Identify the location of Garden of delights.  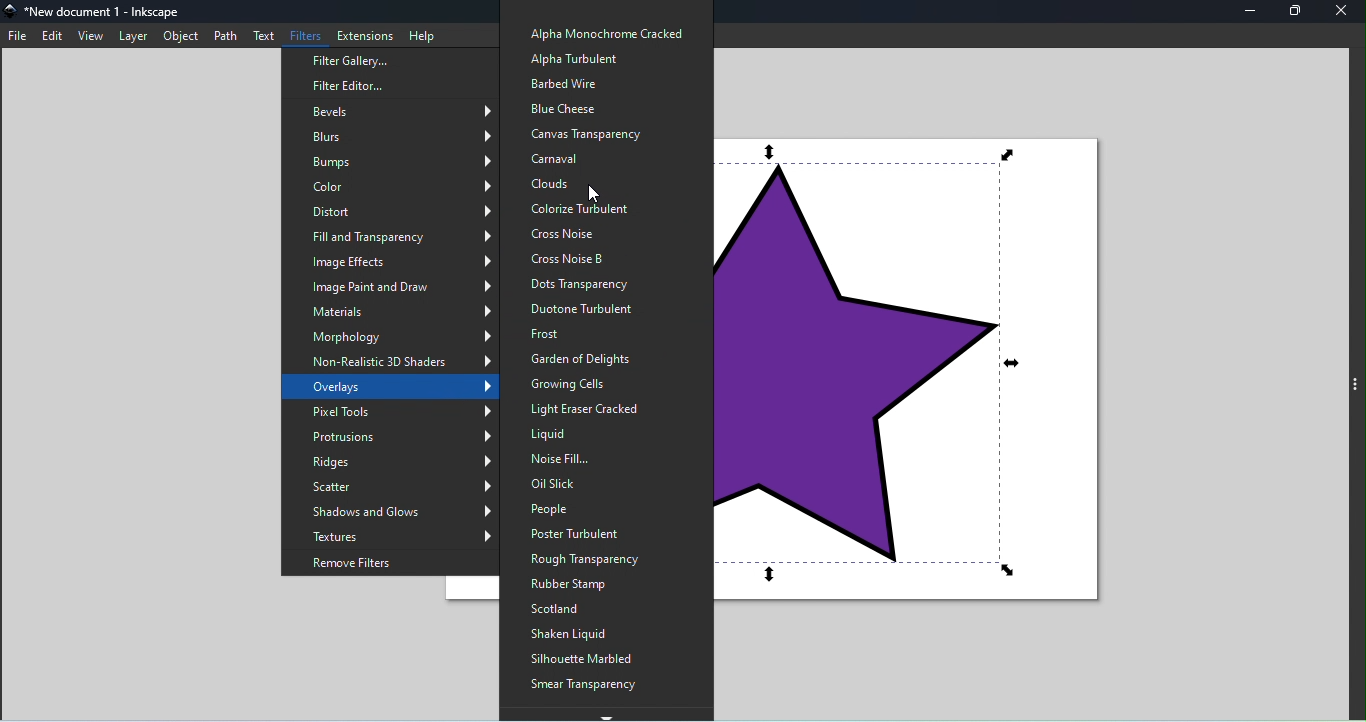
(580, 358).